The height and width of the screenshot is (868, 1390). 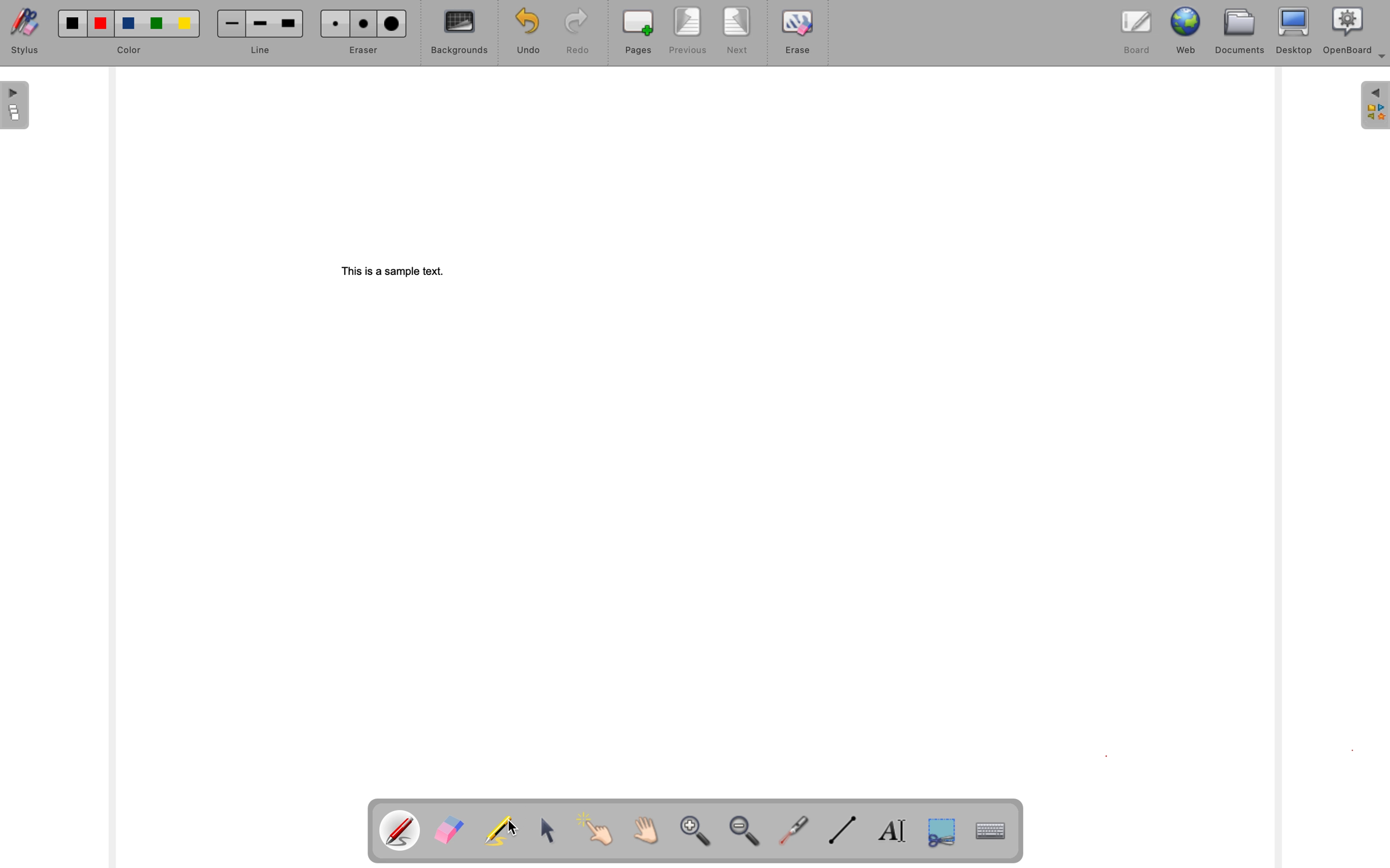 What do you see at coordinates (688, 31) in the screenshot?
I see `previous` at bounding box center [688, 31].